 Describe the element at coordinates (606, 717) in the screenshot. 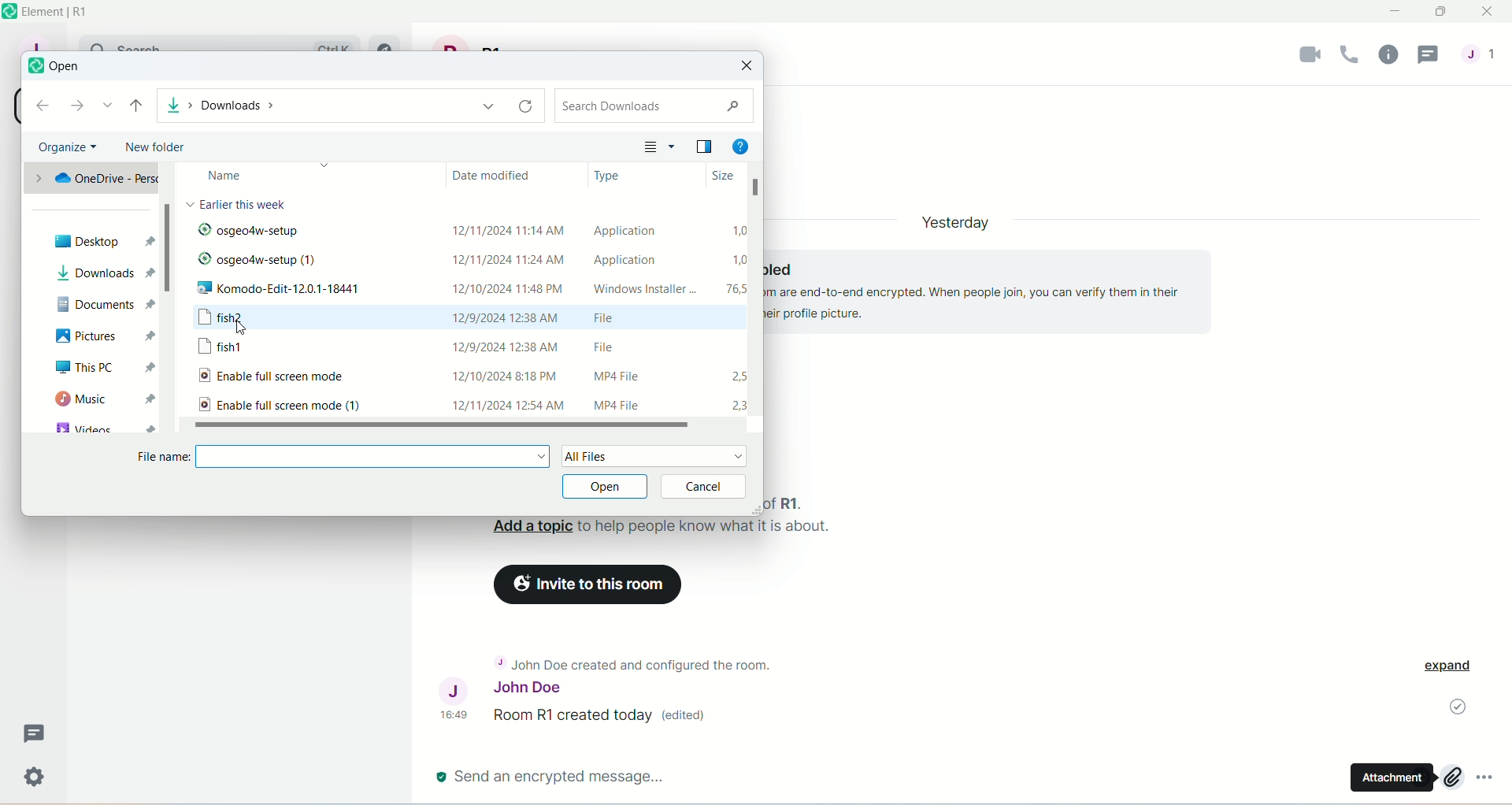

I see `Room R1 created today (edited)` at that location.